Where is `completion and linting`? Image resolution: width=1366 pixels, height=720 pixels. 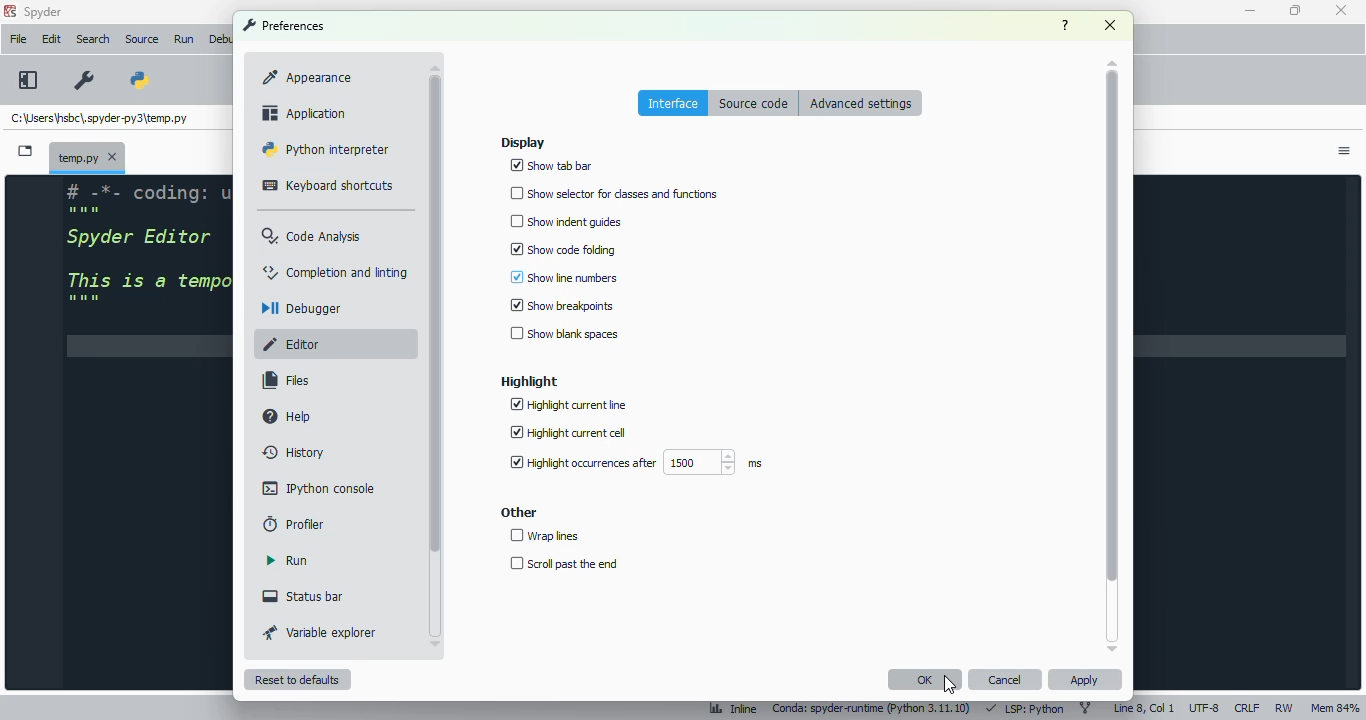
completion and linting is located at coordinates (336, 272).